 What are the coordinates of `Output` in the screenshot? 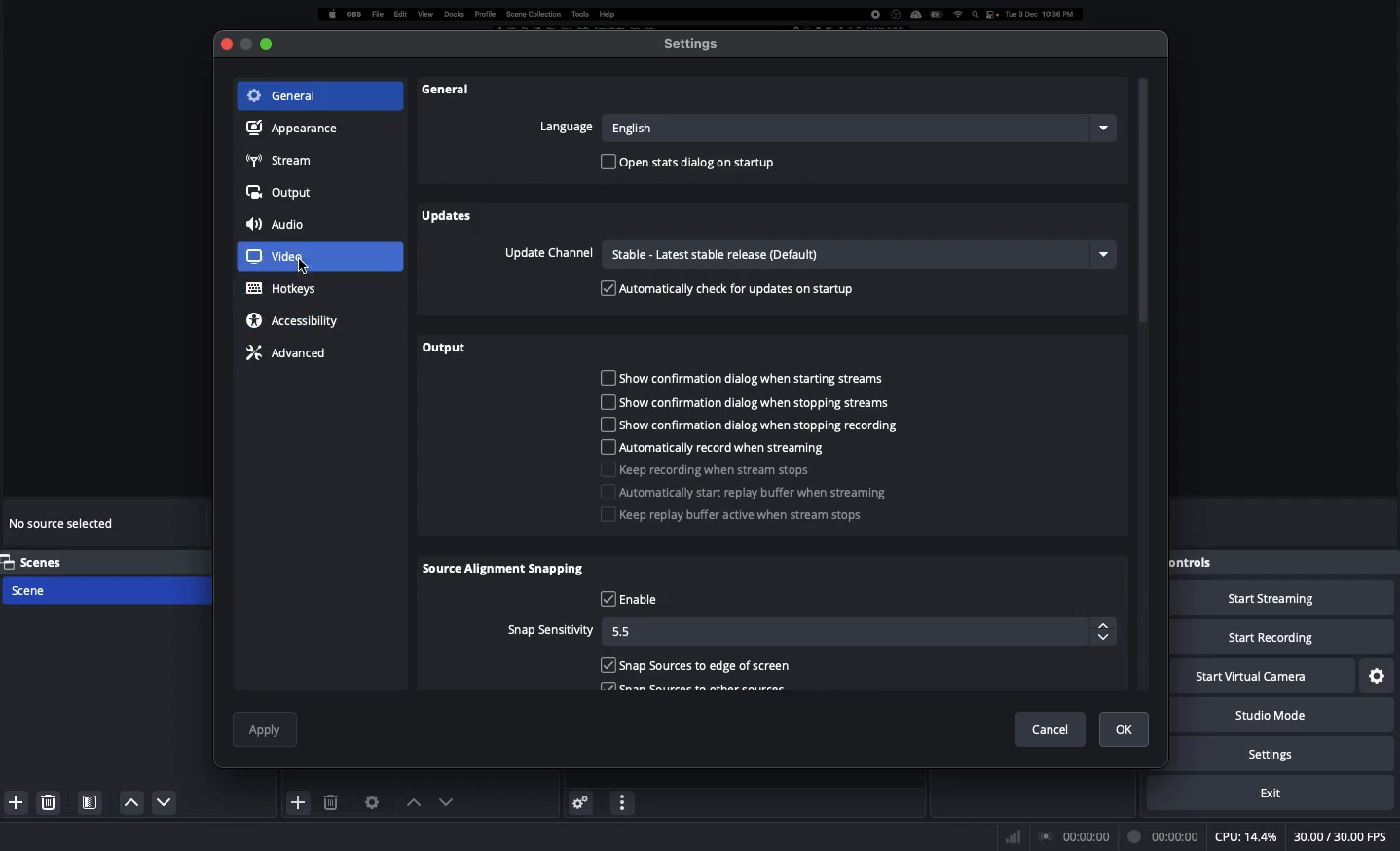 It's located at (451, 348).